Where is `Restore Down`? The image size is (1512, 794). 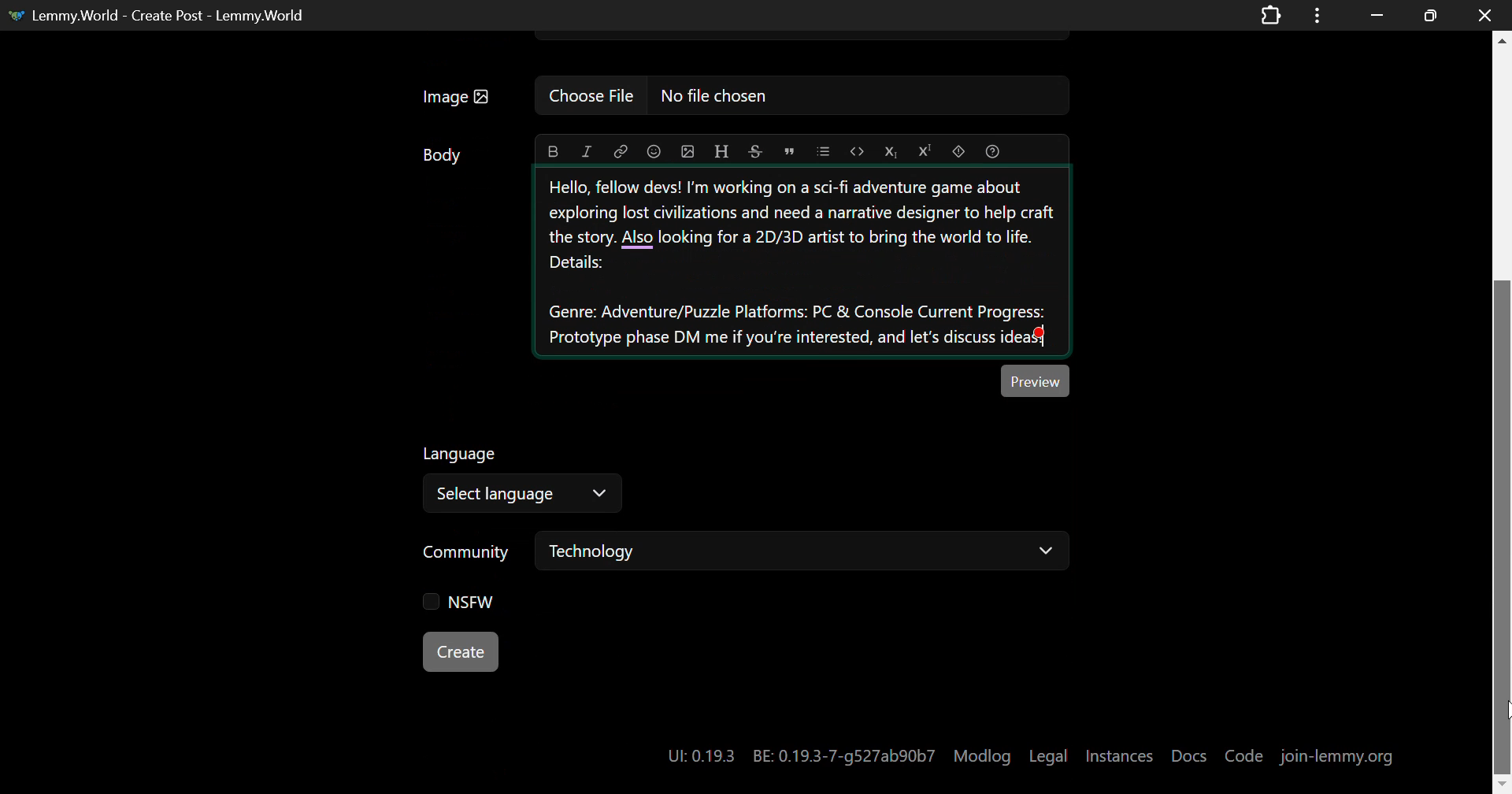 Restore Down is located at coordinates (1377, 15).